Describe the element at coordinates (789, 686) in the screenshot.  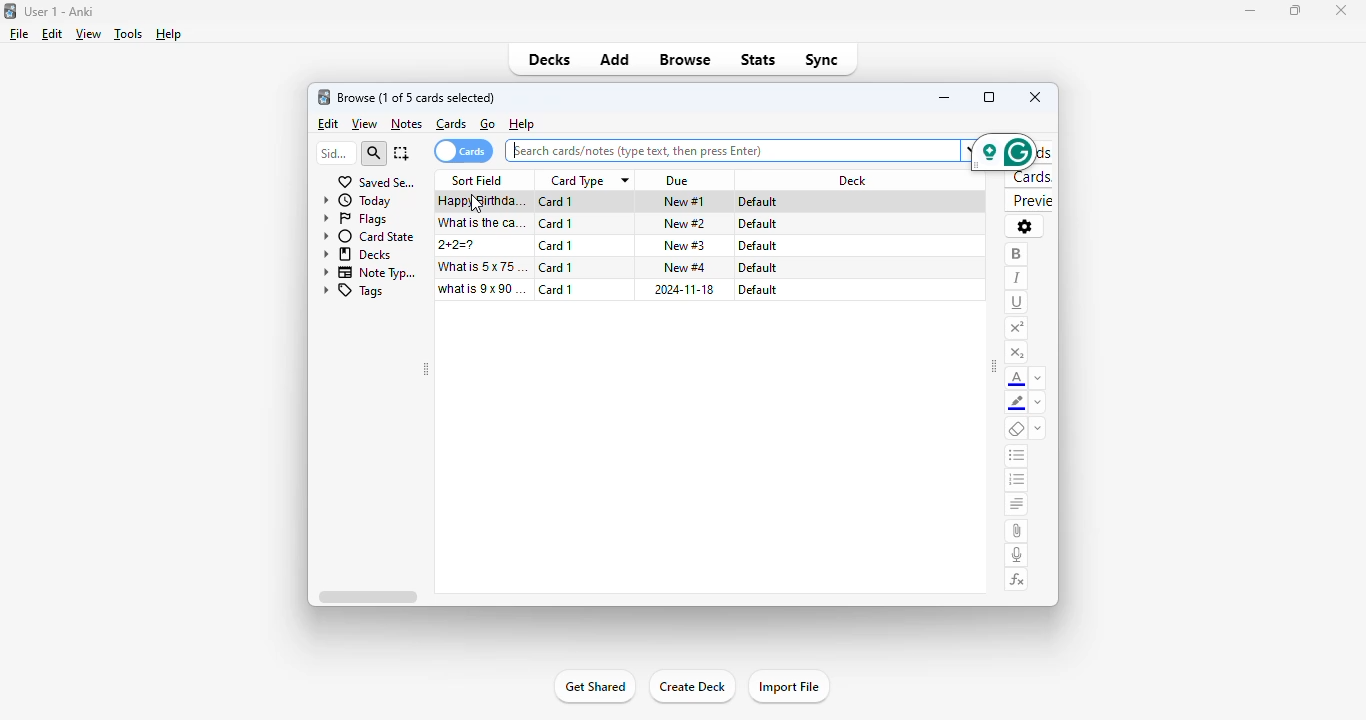
I see `import file` at that location.